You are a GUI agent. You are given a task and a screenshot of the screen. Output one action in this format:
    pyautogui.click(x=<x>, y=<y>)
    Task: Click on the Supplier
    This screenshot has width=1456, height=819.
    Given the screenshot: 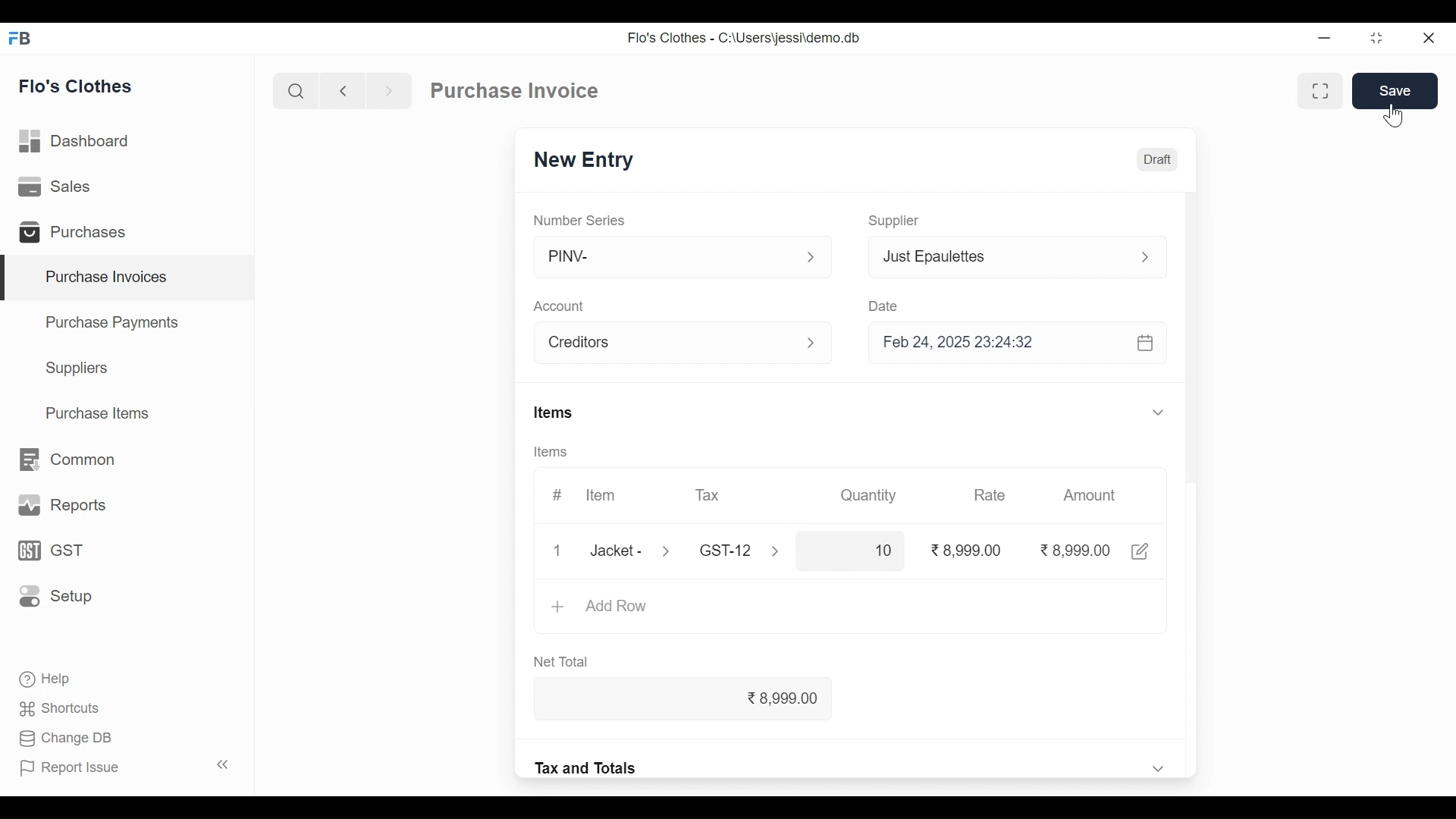 What is the action you would take?
    pyautogui.click(x=897, y=221)
    